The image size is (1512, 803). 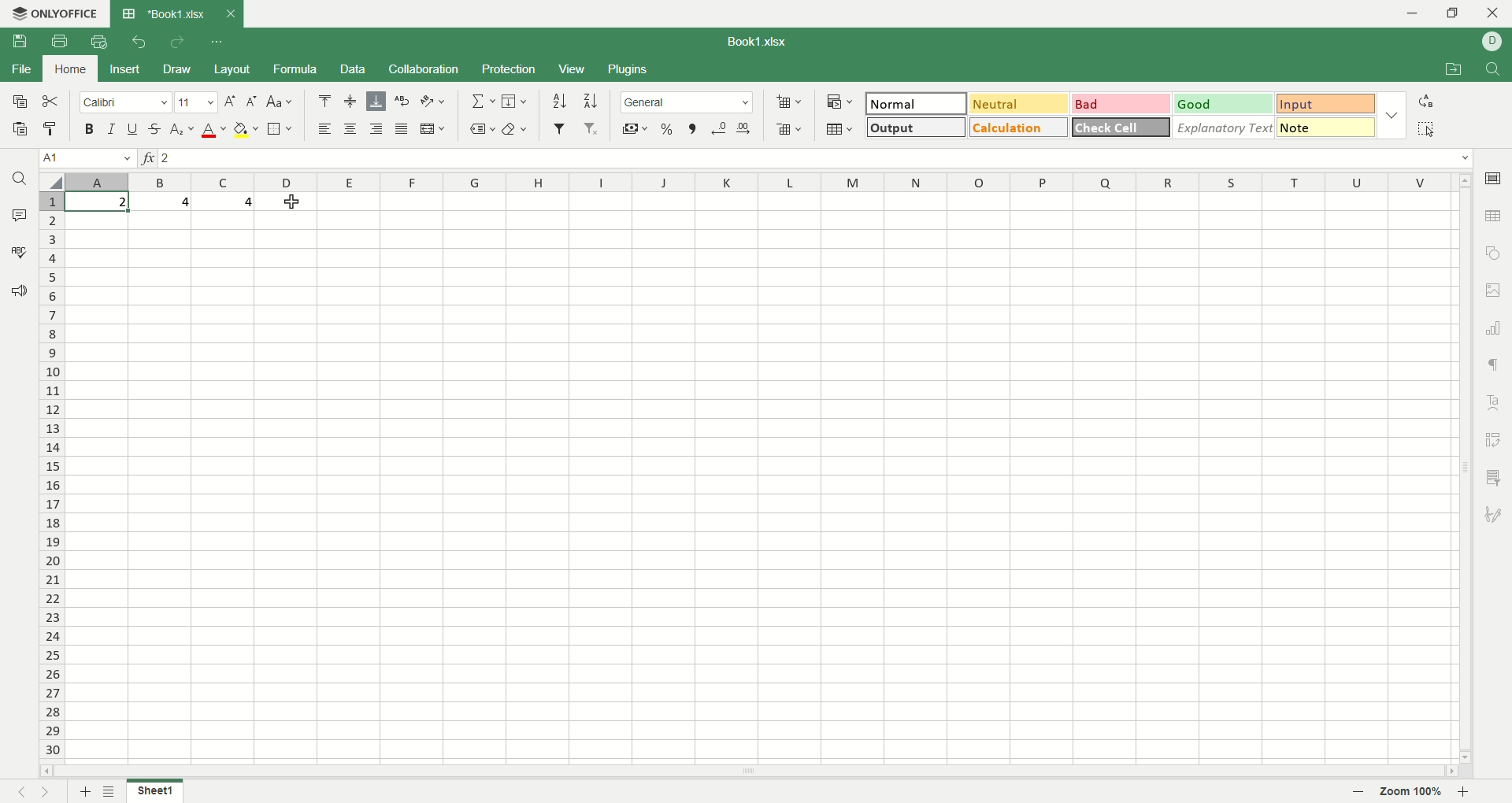 I want to click on pivot settings, so click(x=1495, y=438).